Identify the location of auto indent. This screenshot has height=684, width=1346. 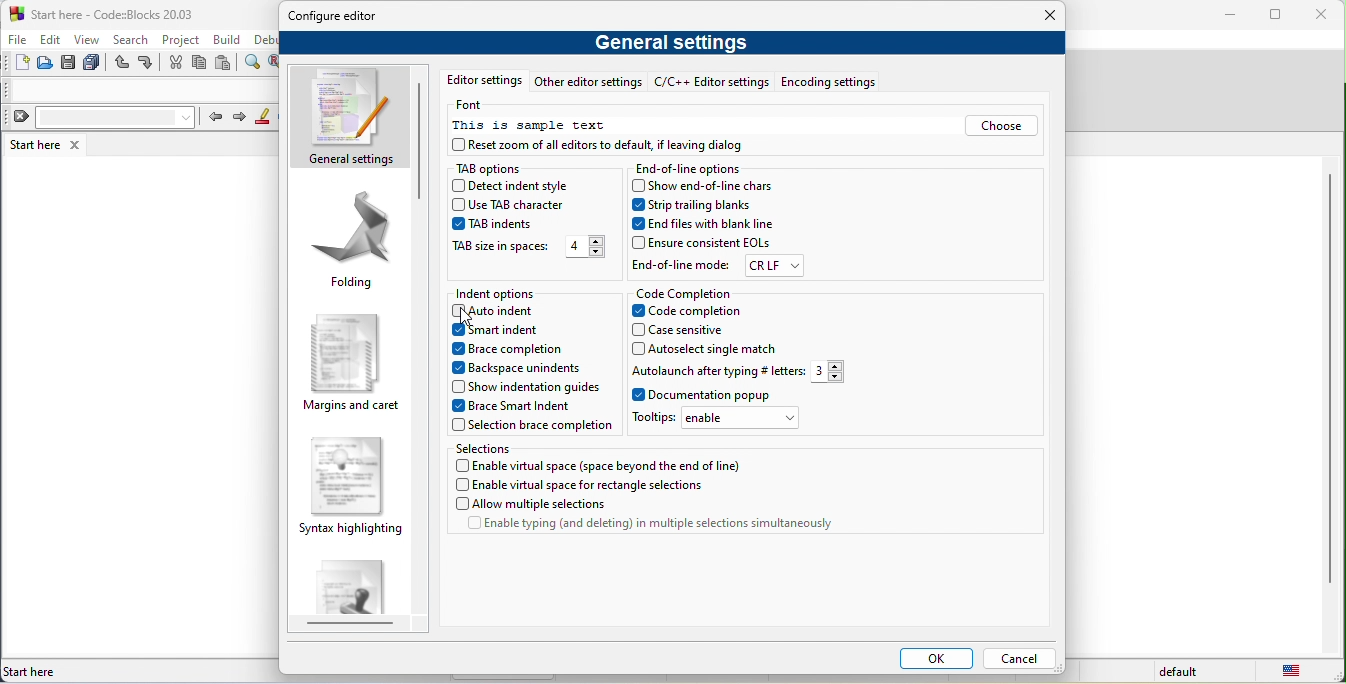
(510, 312).